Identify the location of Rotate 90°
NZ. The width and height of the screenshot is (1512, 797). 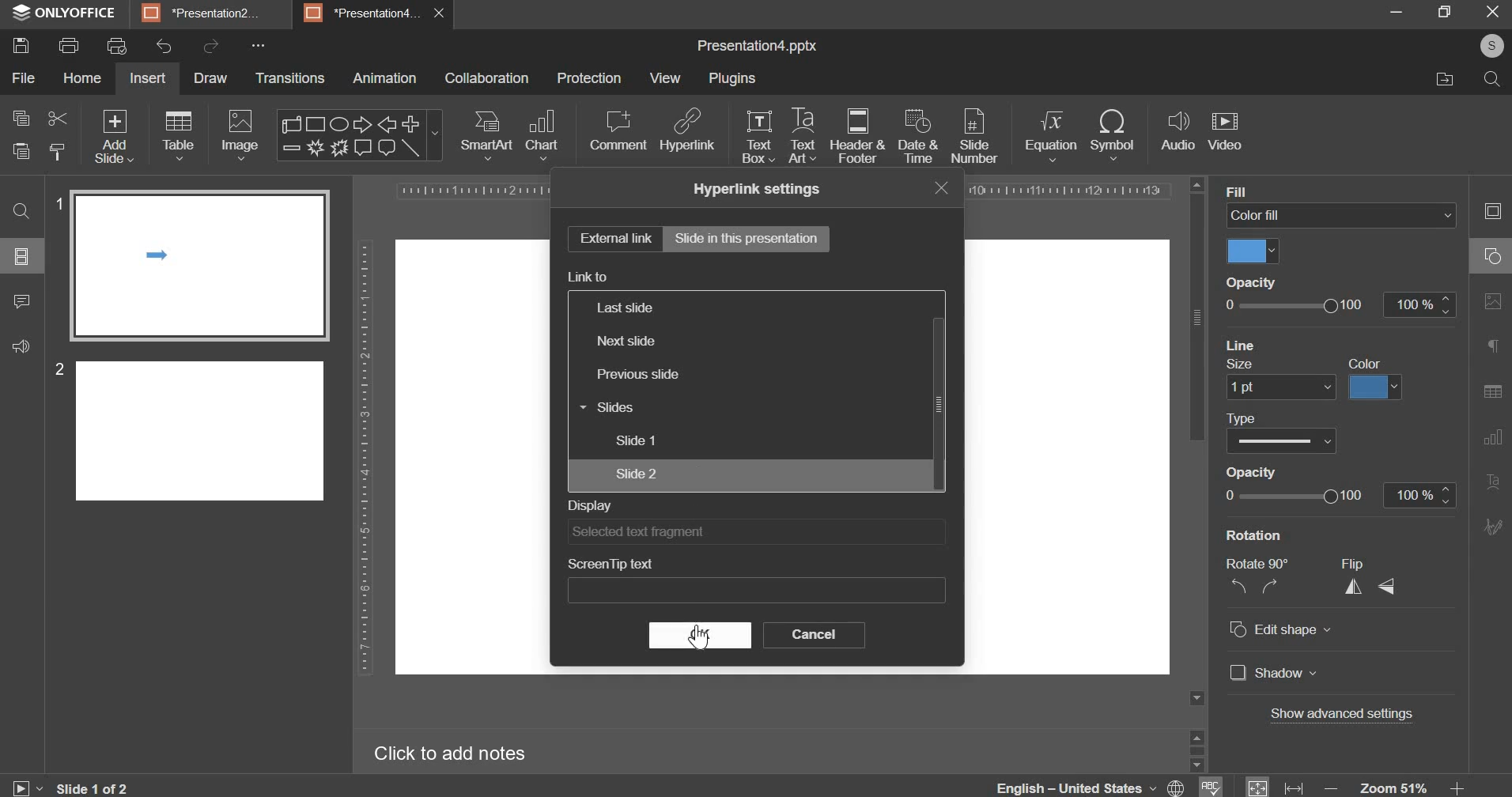
(1253, 579).